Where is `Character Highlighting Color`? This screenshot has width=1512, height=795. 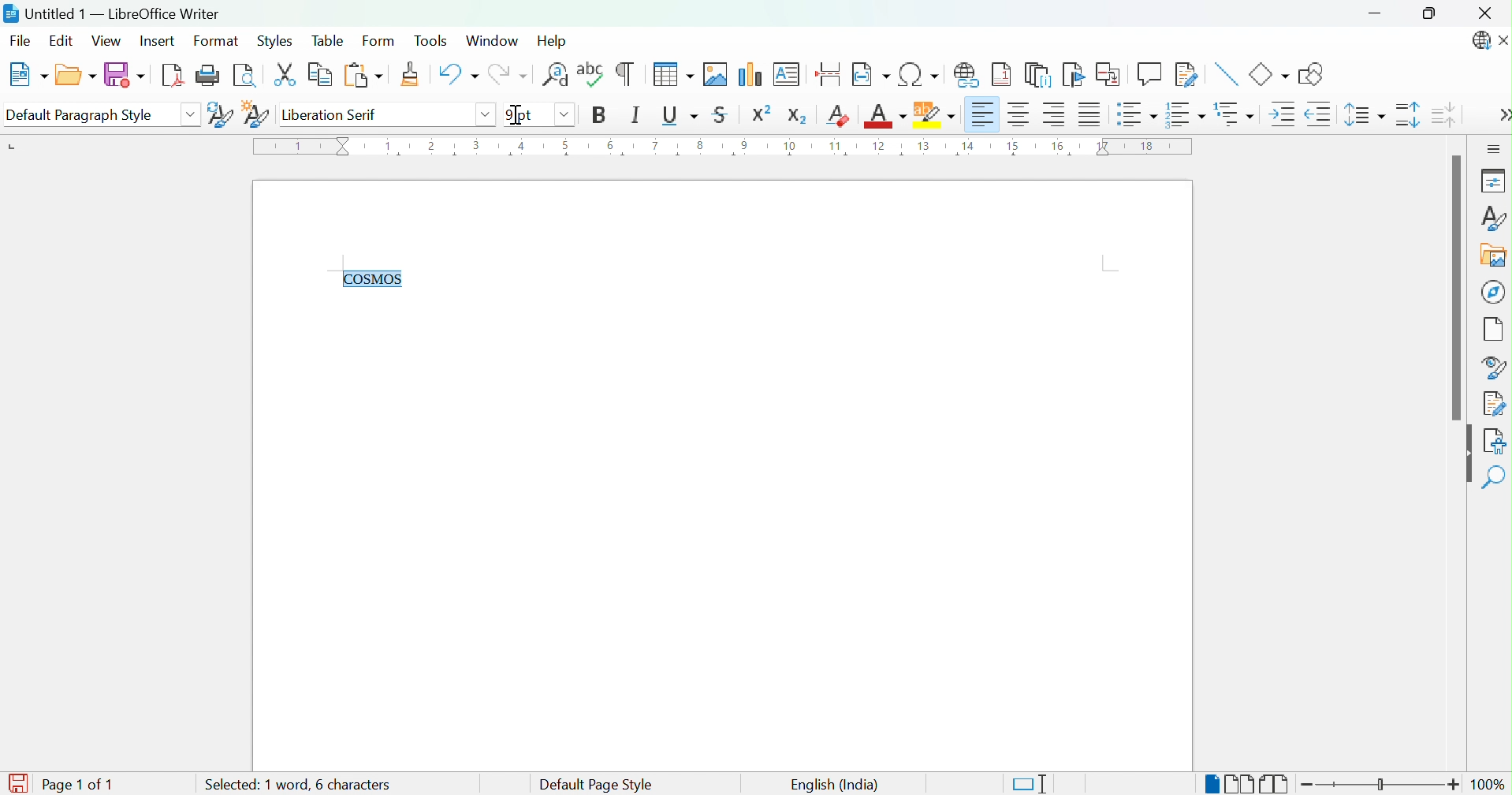
Character Highlighting Color is located at coordinates (932, 114).